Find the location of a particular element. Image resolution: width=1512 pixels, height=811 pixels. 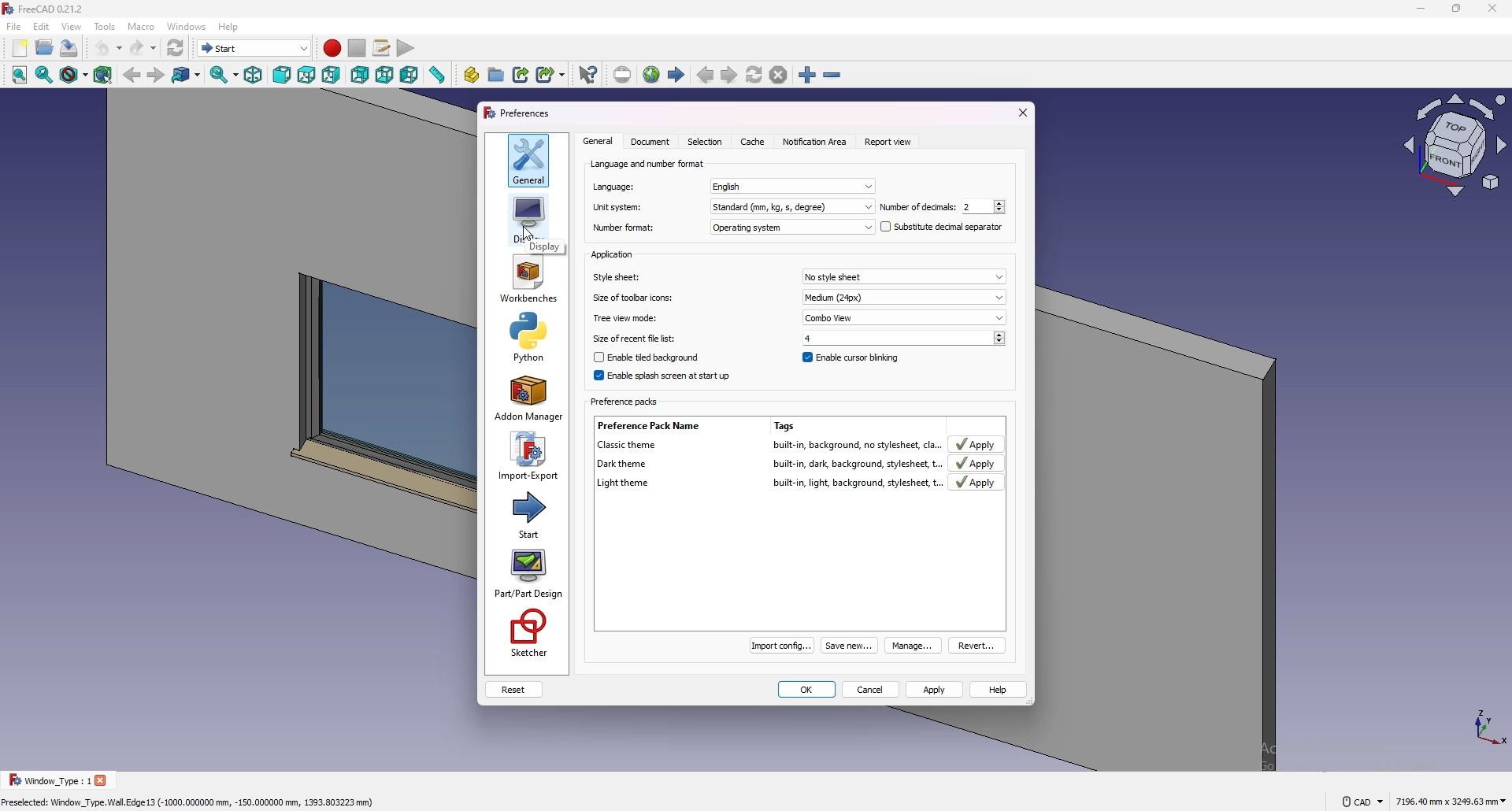

Import config is located at coordinates (782, 645).